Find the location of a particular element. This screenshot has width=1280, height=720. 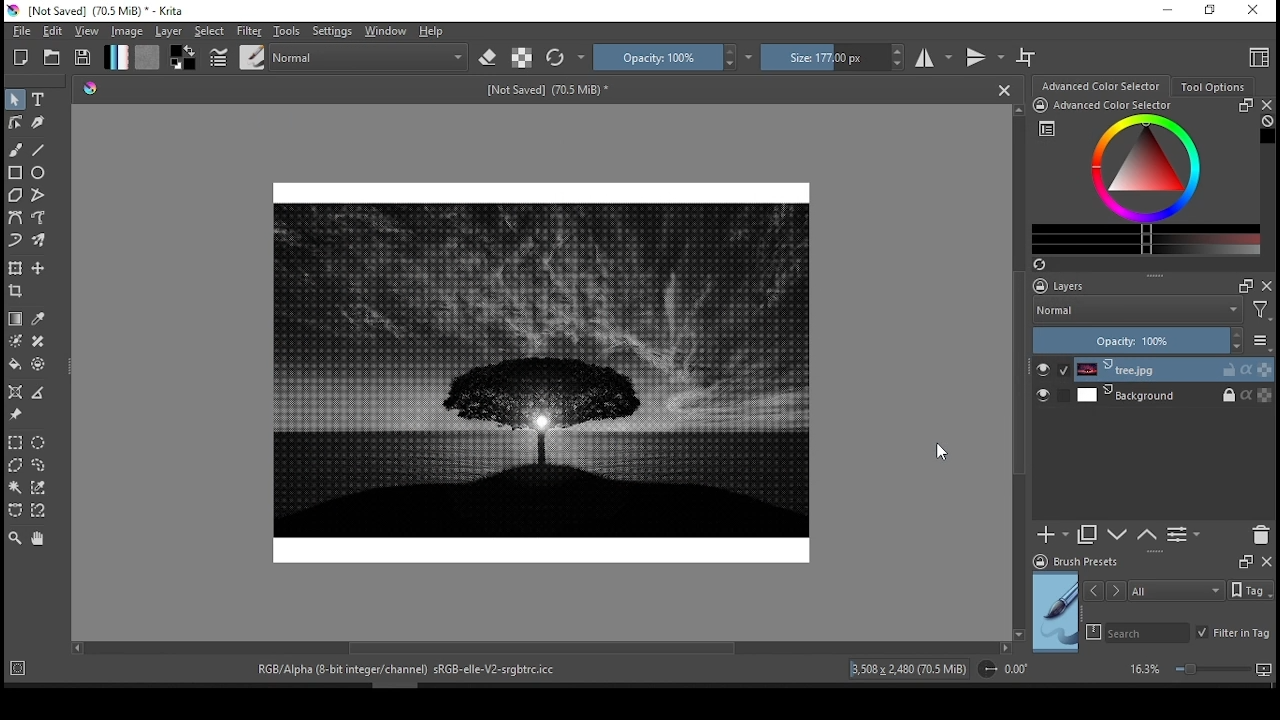

image (half tone filter applied) is located at coordinates (540, 366).